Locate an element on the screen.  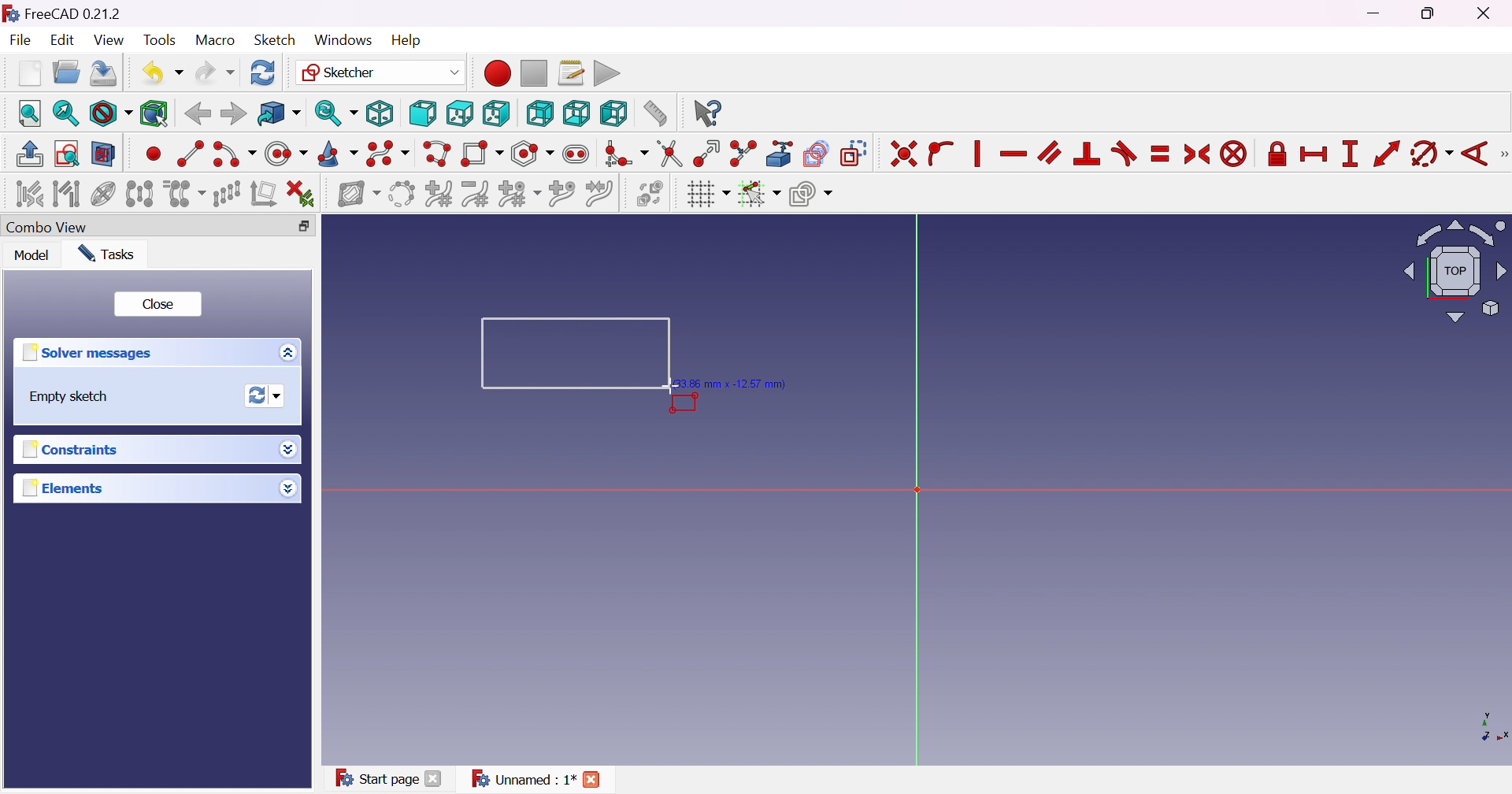
More options is located at coordinates (291, 449).